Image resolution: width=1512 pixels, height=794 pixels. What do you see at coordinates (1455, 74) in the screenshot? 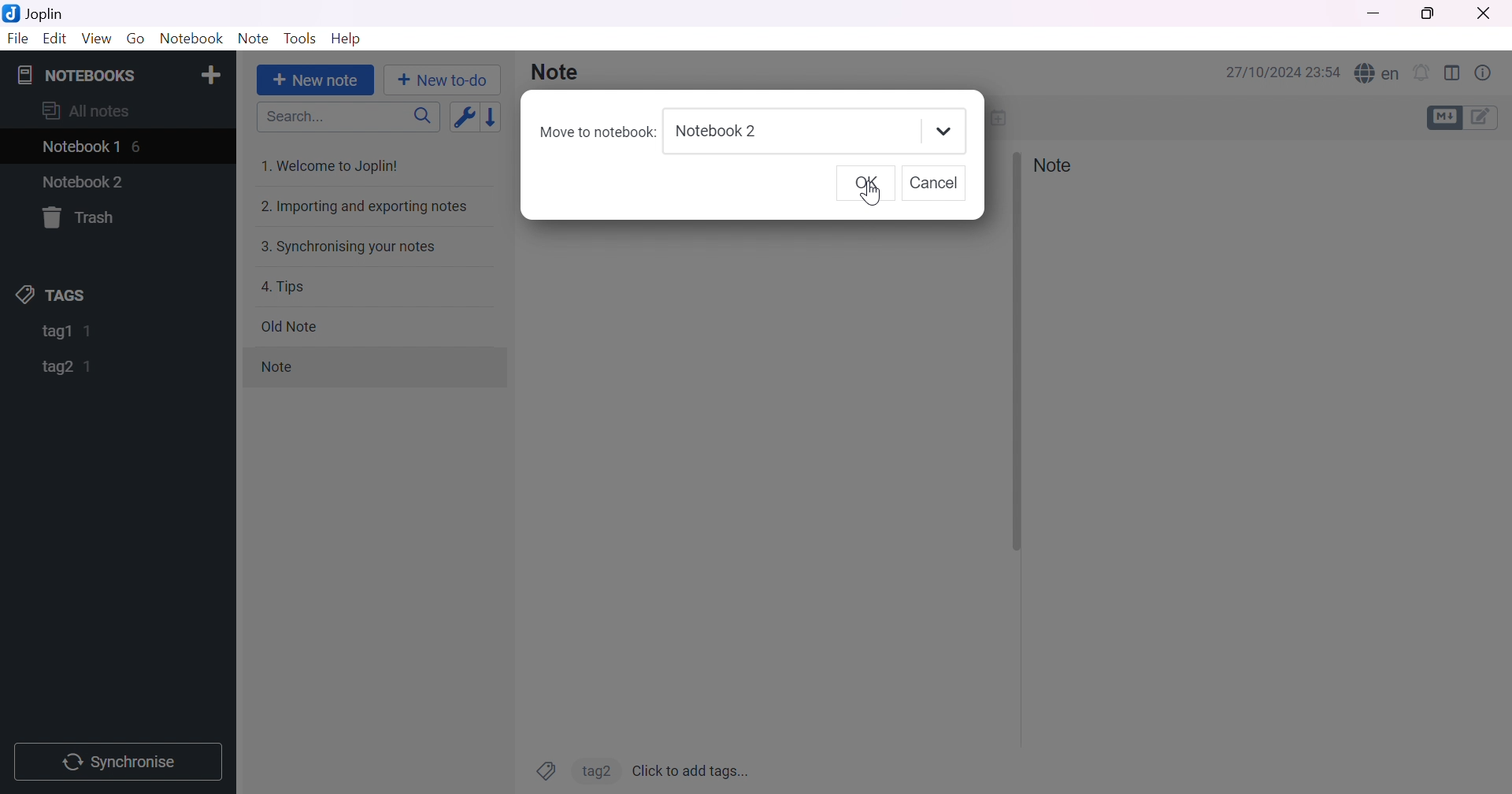
I see `Toggle editor layout` at bounding box center [1455, 74].